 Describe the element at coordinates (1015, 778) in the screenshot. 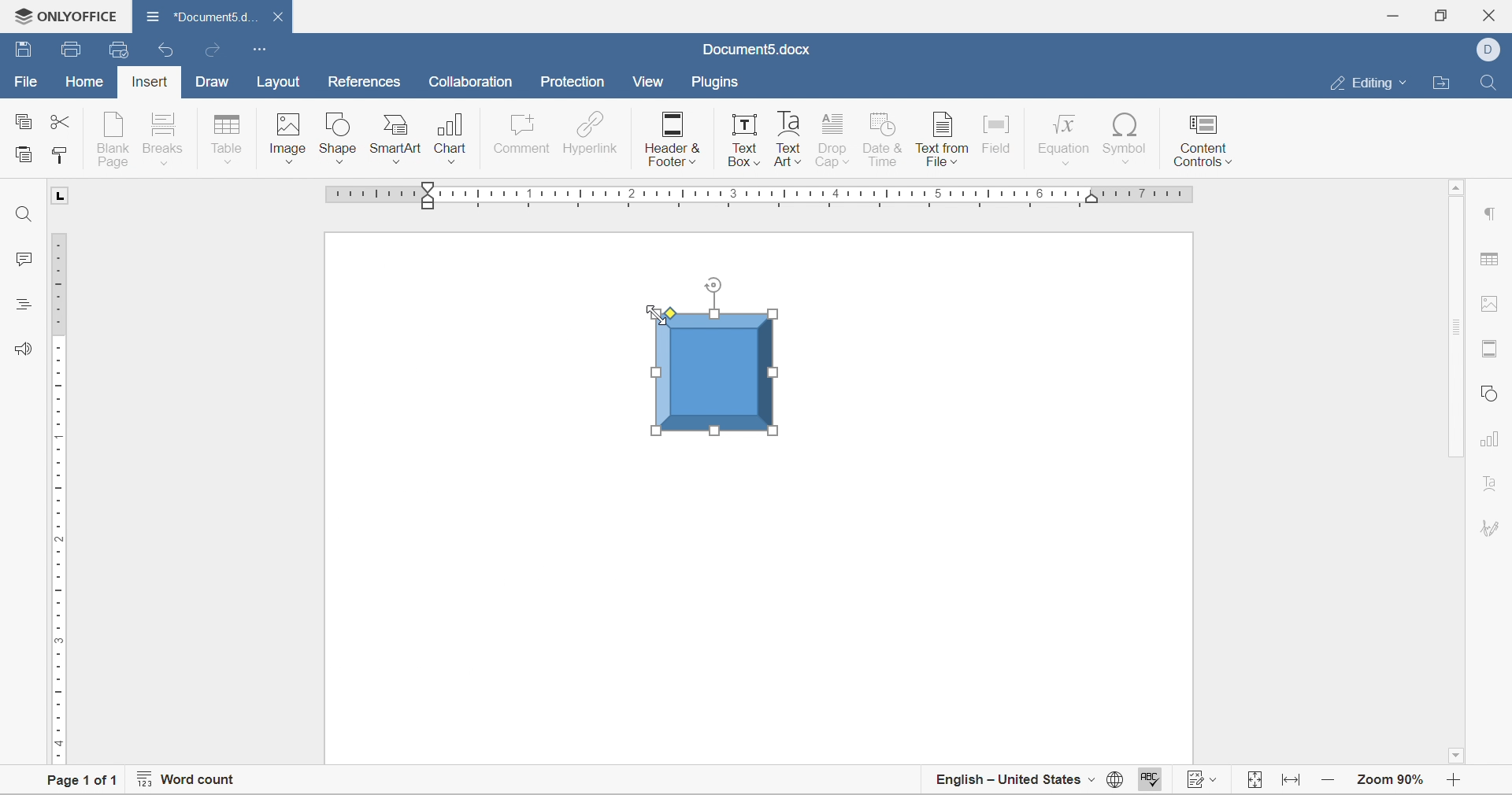

I see `english - united states` at that location.